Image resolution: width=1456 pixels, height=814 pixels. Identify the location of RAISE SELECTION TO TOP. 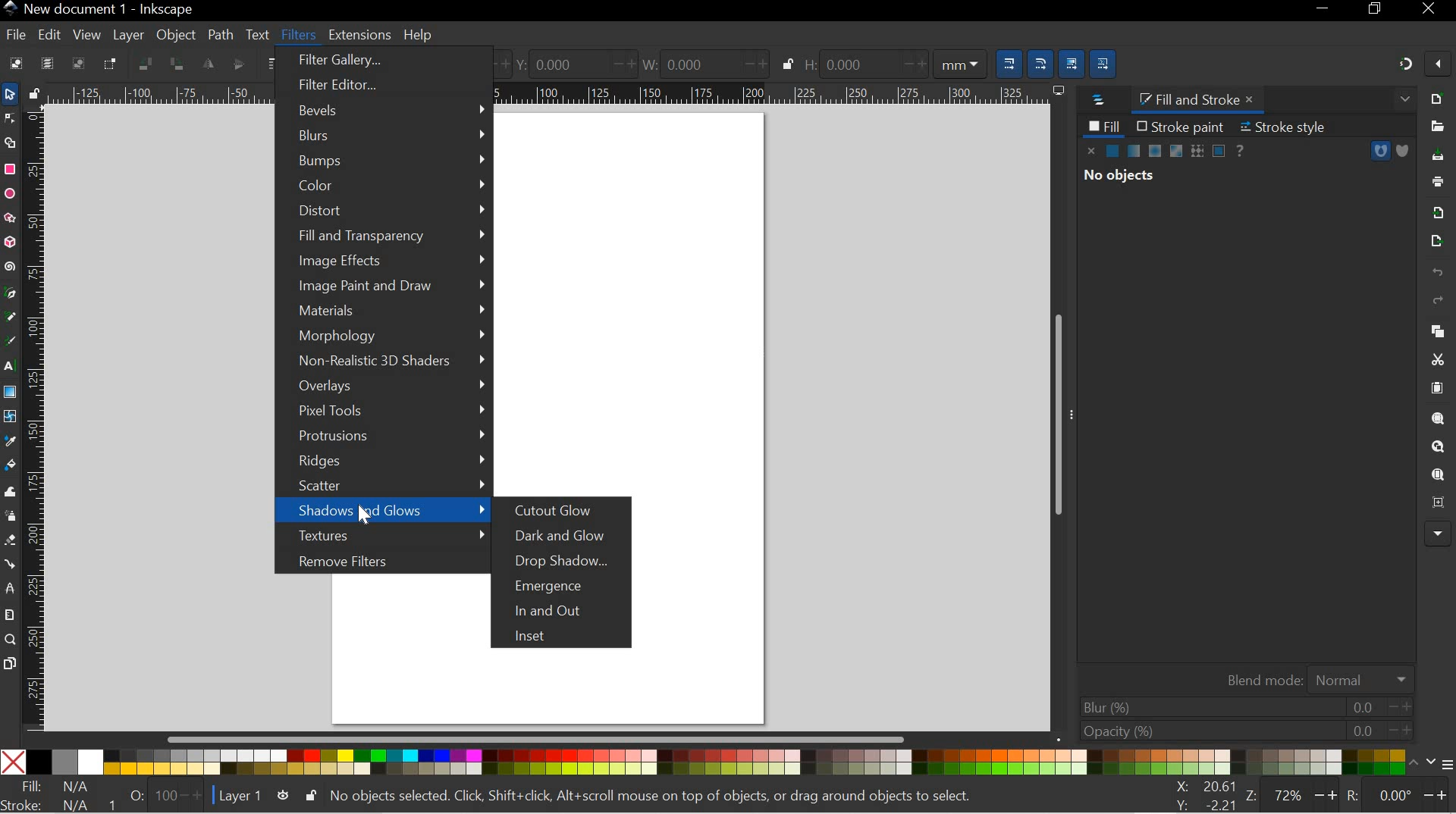
(274, 64).